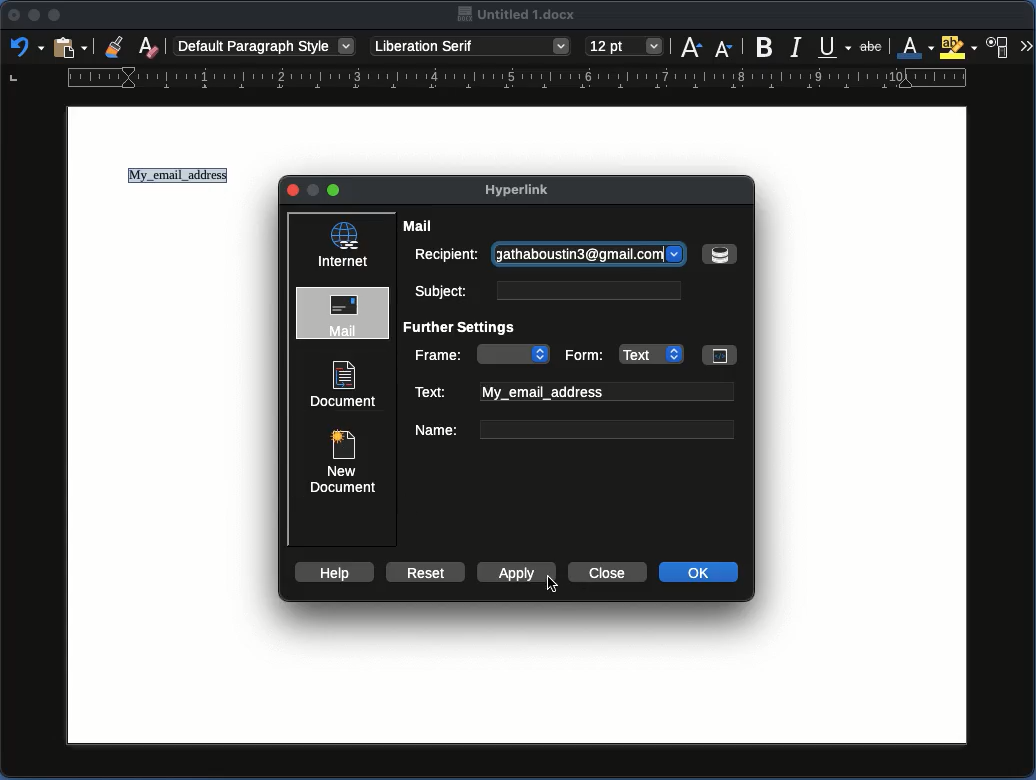 This screenshot has width=1036, height=780. I want to click on Liberation Serif, so click(472, 46).